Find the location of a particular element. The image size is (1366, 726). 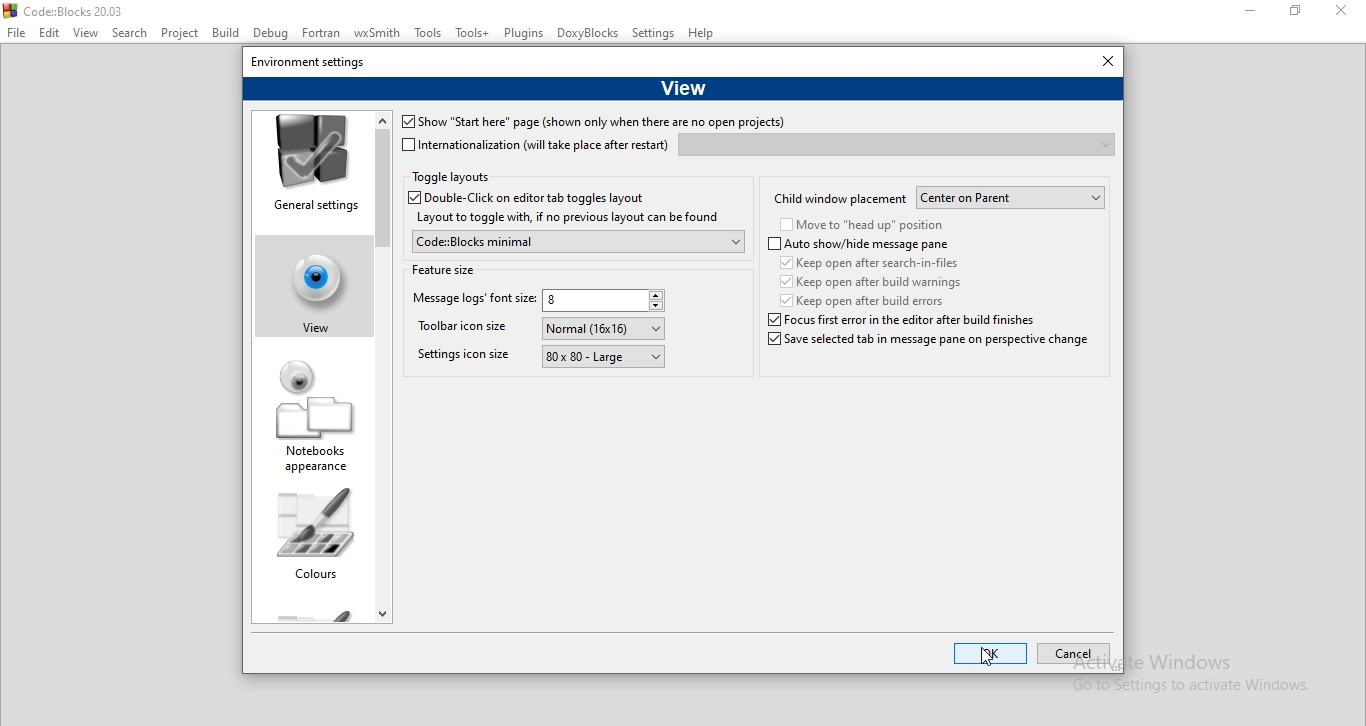

Plugins is located at coordinates (524, 33).